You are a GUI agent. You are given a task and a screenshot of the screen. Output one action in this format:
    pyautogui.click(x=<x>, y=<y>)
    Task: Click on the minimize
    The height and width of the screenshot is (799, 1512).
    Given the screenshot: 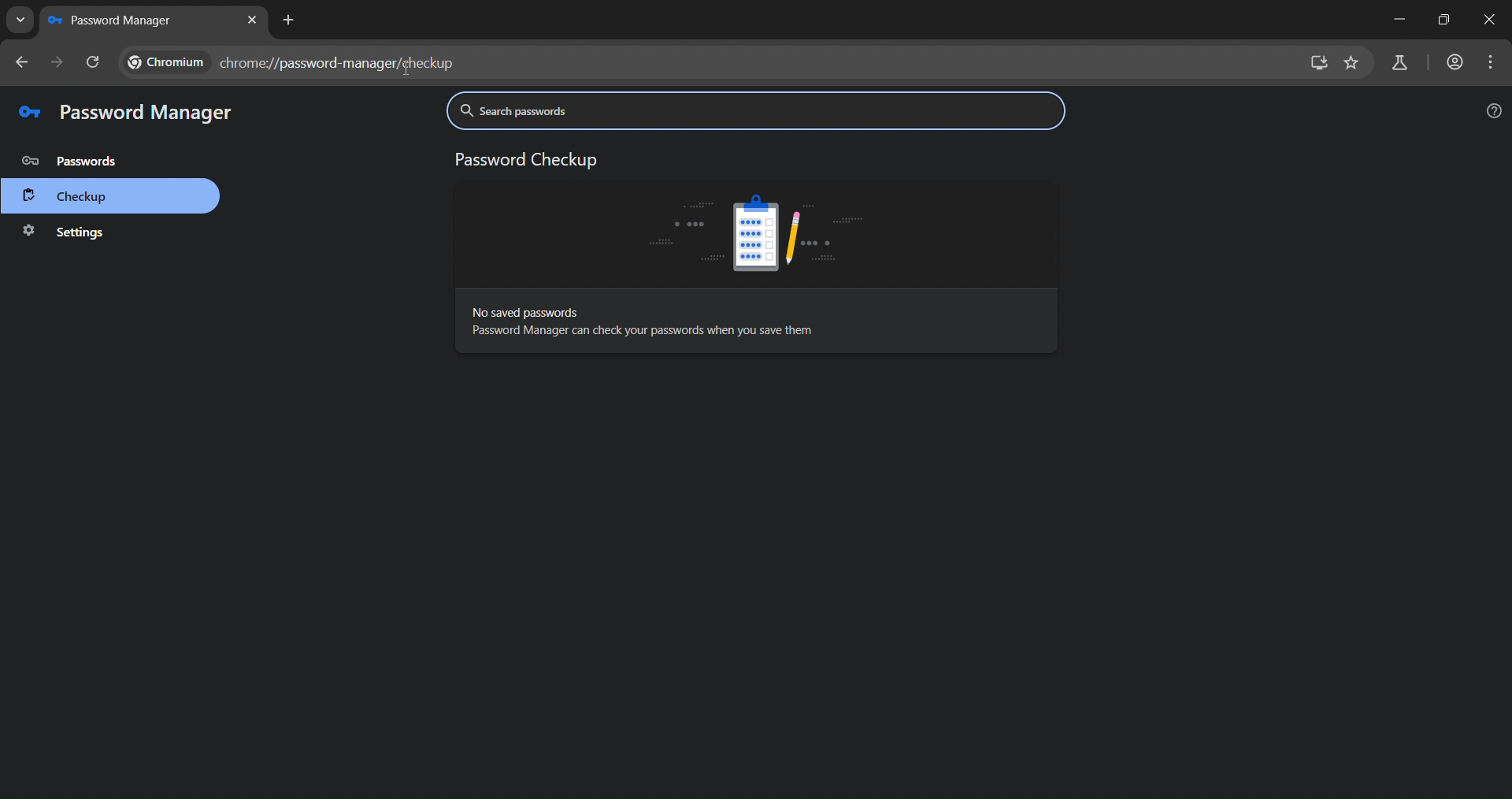 What is the action you would take?
    pyautogui.click(x=1397, y=17)
    